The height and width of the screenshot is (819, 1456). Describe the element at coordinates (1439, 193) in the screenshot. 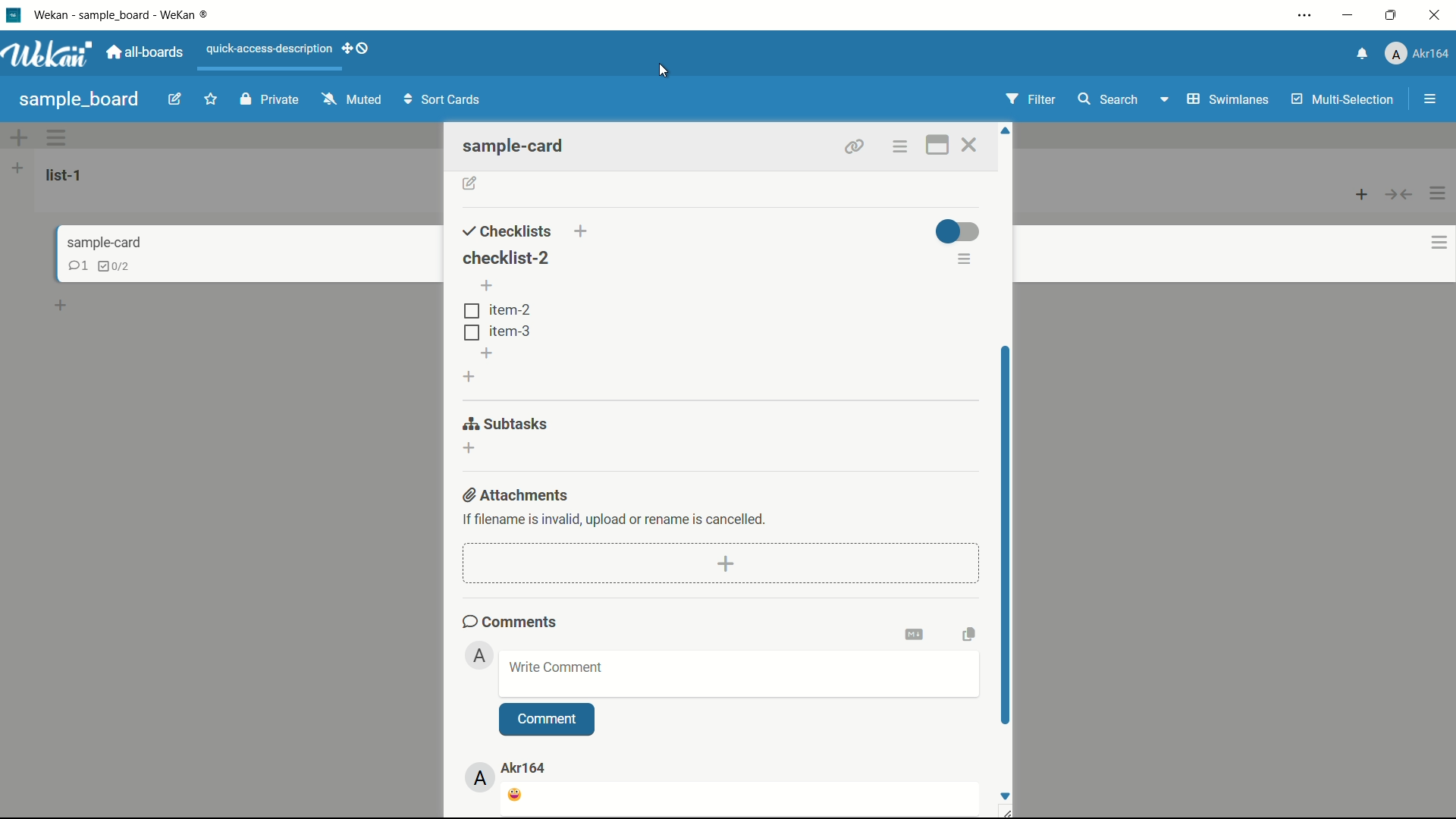

I see `list actions` at that location.